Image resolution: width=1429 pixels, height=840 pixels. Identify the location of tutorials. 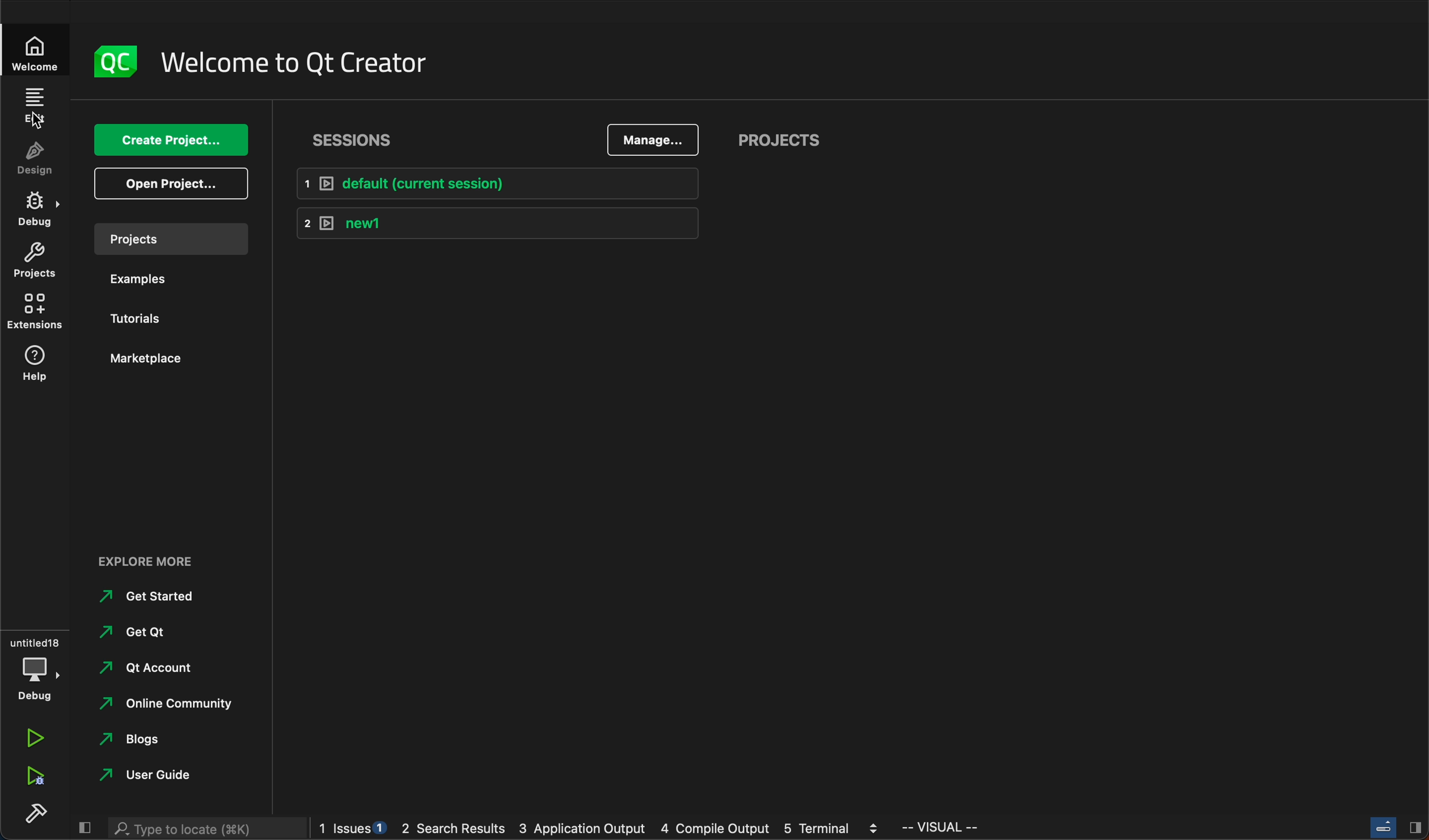
(150, 320).